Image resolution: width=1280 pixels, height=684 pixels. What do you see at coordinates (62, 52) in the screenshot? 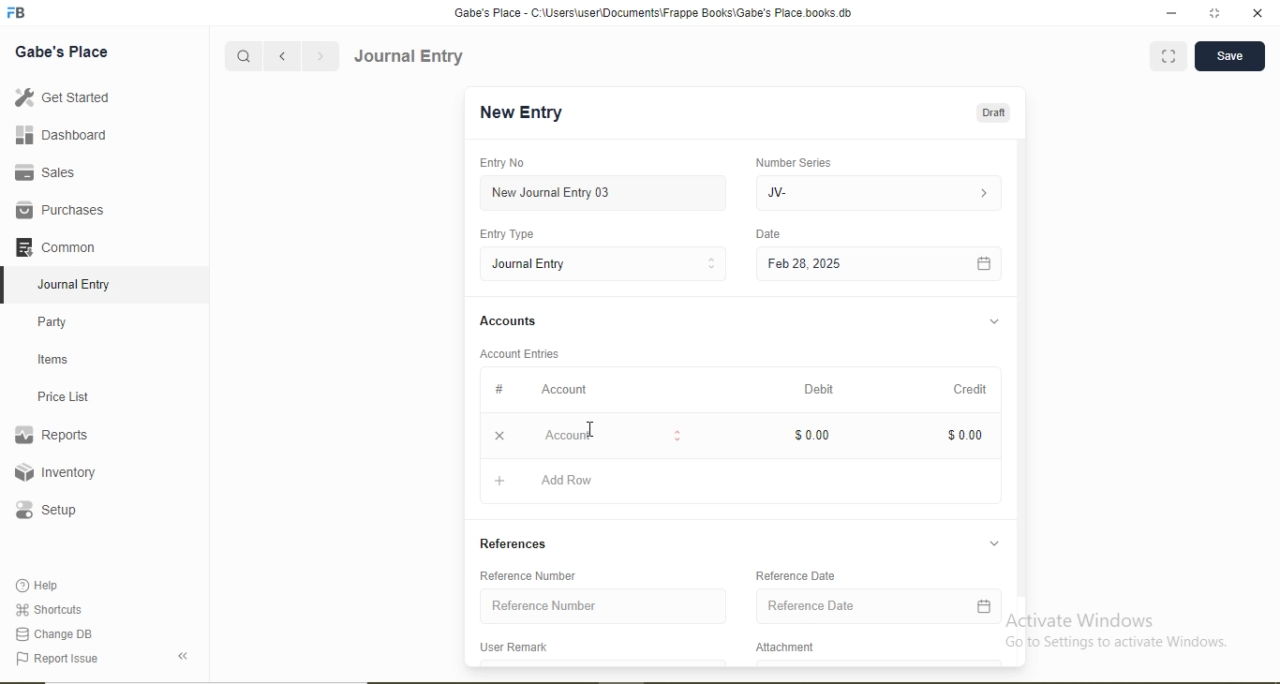
I see `Gabe's Place` at bounding box center [62, 52].